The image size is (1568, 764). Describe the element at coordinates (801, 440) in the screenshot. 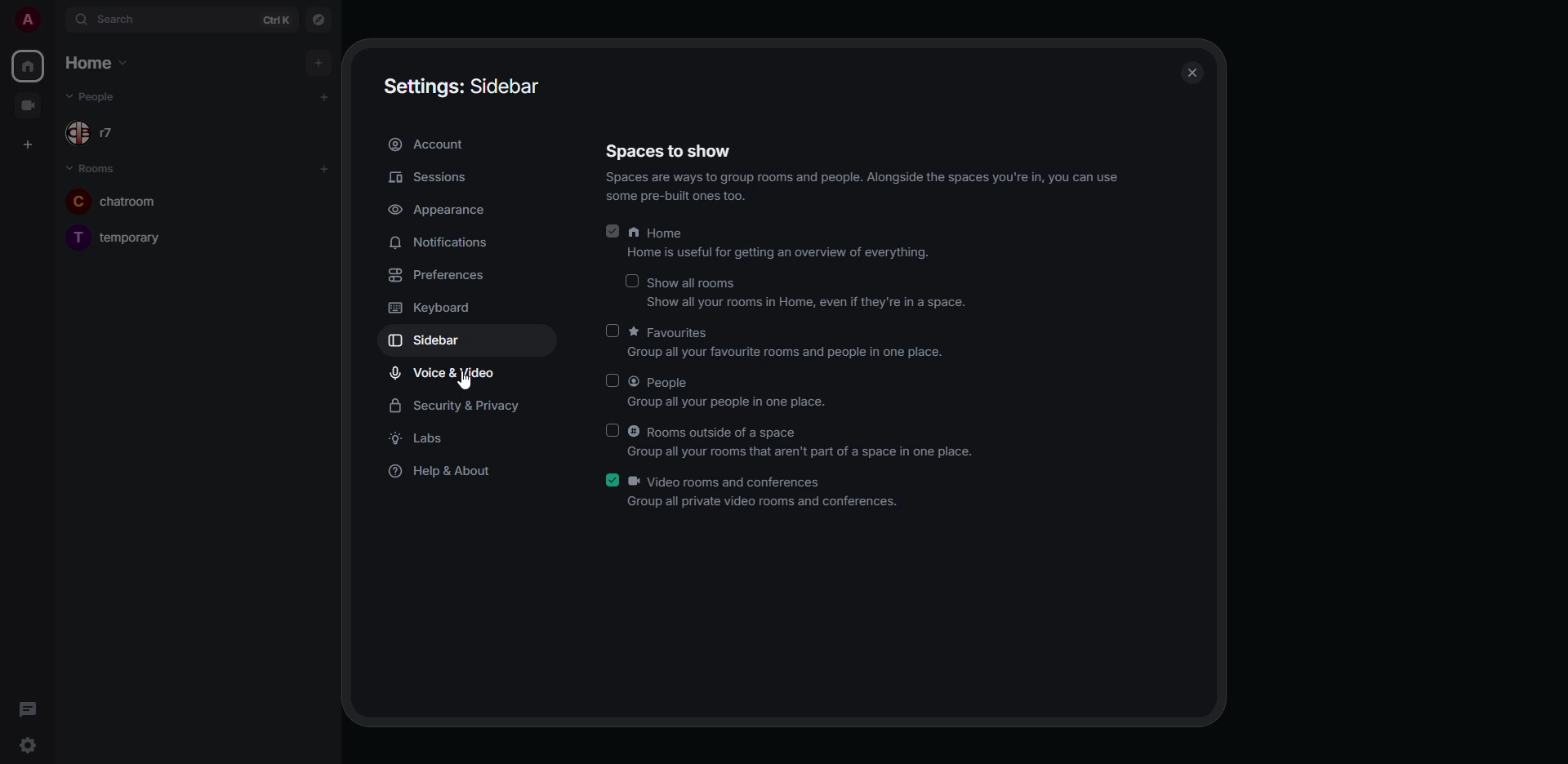

I see `rooms outside of a space` at that location.